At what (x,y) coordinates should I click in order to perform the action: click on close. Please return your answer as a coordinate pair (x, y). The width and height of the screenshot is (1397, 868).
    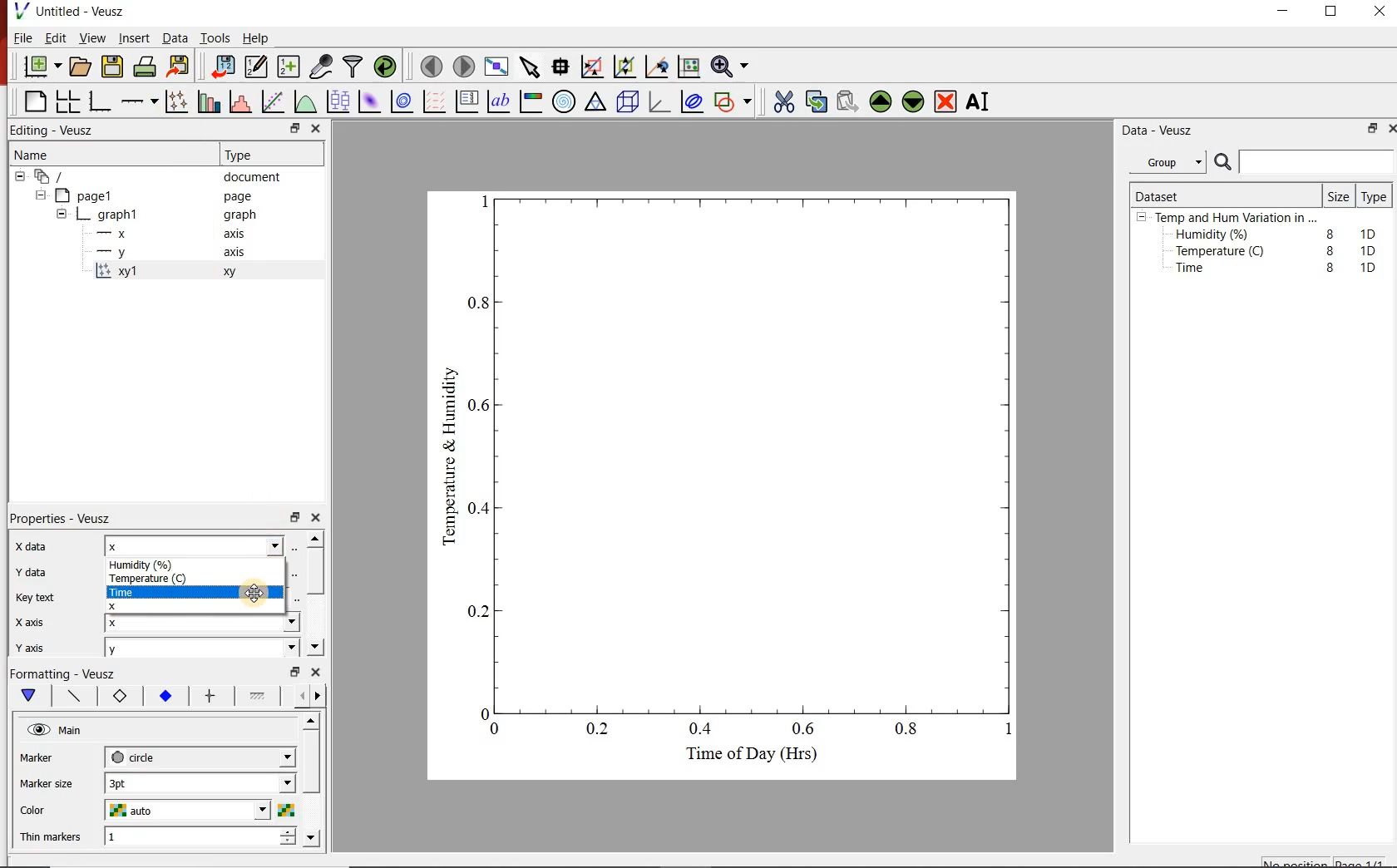
    Looking at the image, I should click on (1389, 128).